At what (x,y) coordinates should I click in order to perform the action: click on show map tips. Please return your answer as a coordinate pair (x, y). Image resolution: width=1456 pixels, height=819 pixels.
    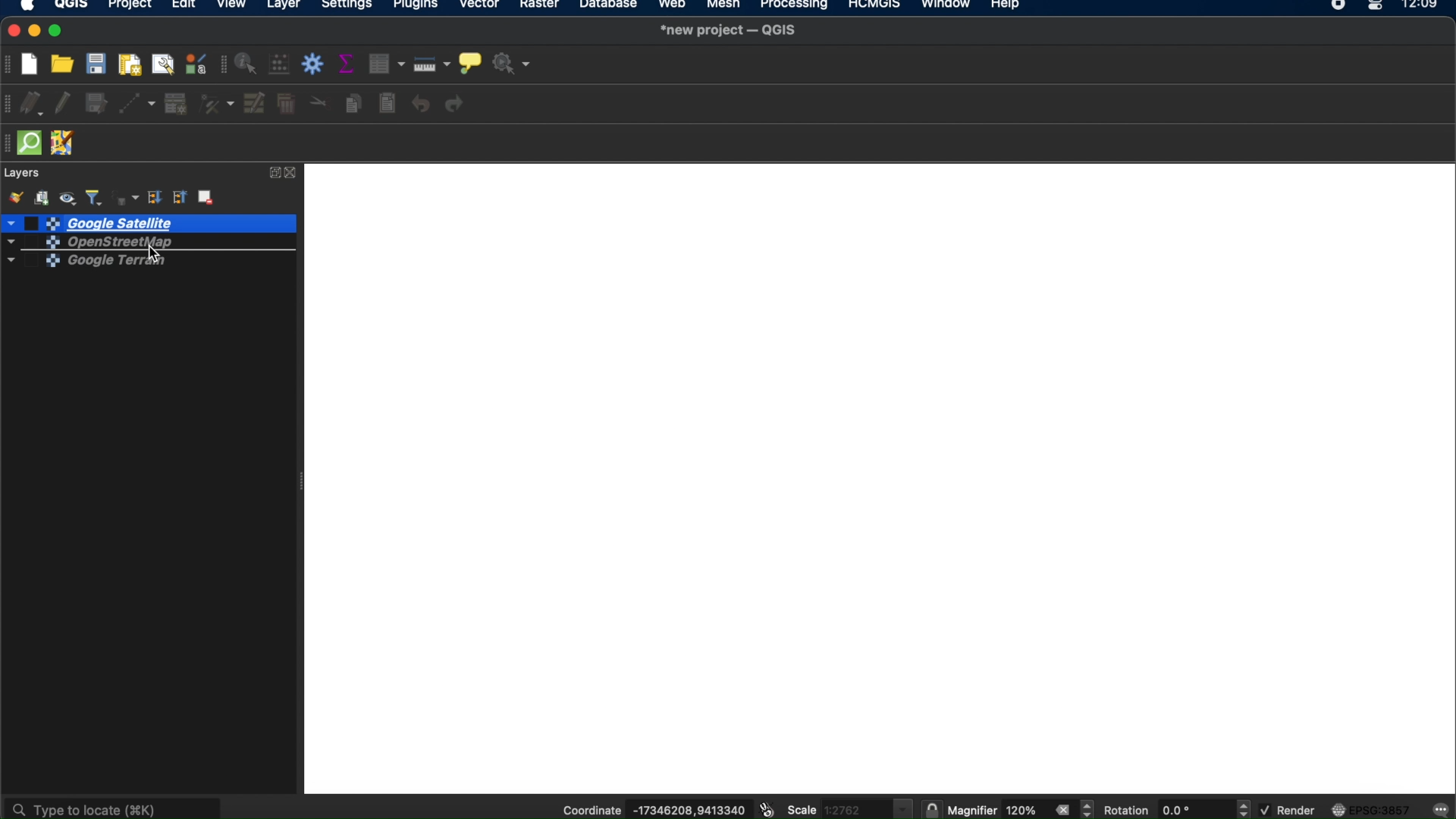
    Looking at the image, I should click on (469, 61).